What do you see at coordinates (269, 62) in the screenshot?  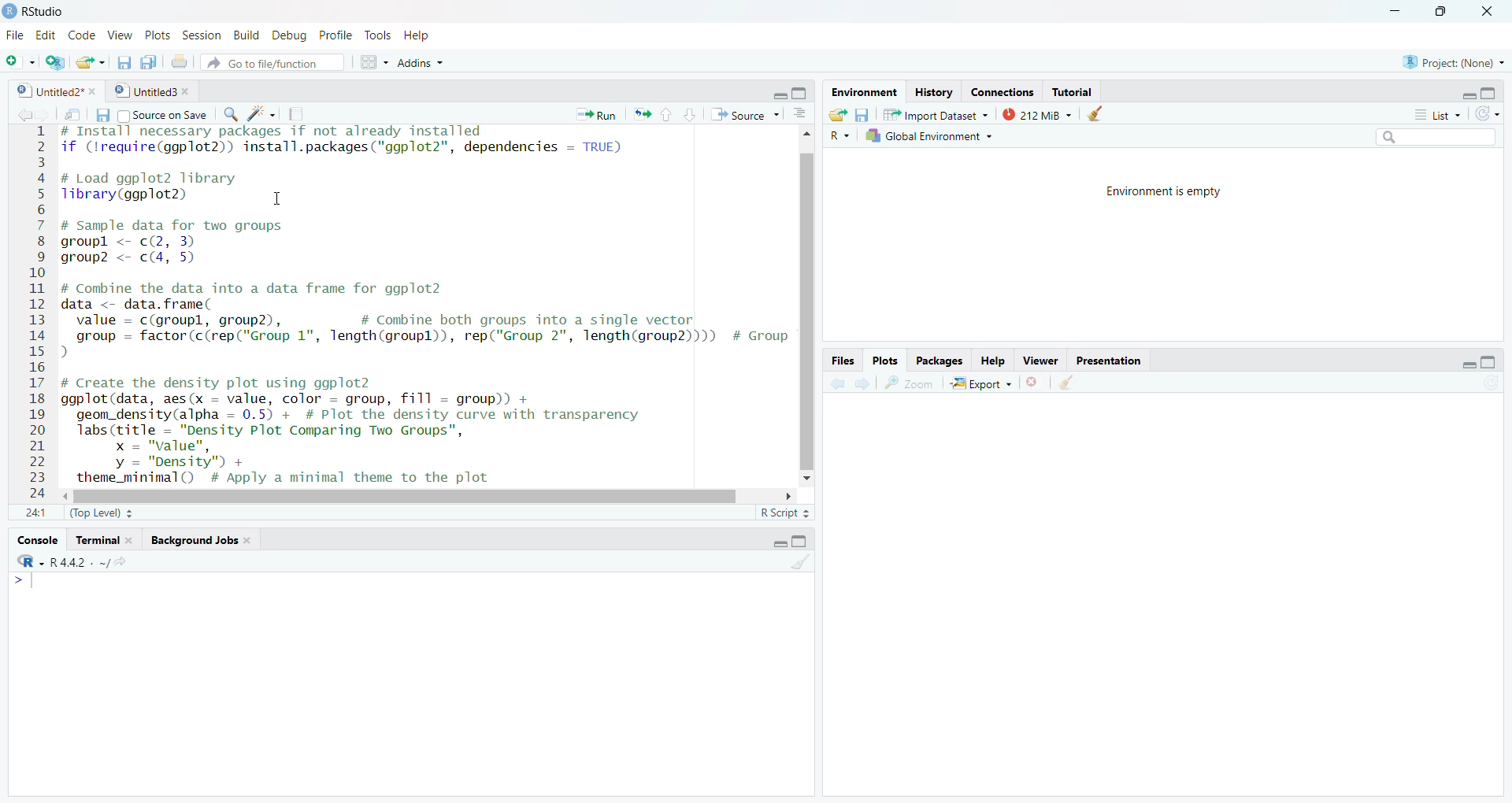 I see `go to file` at bounding box center [269, 62].